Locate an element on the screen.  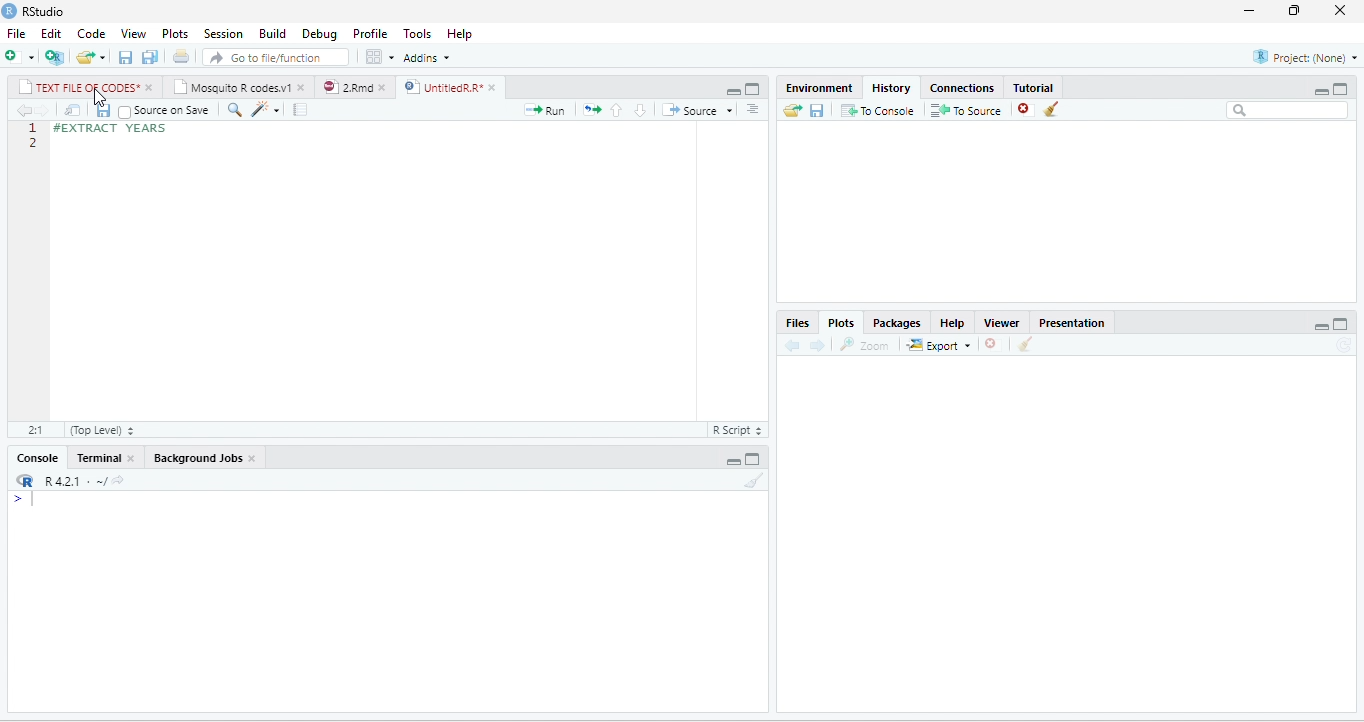
R 4.2.1 .~/ is located at coordinates (71, 481).